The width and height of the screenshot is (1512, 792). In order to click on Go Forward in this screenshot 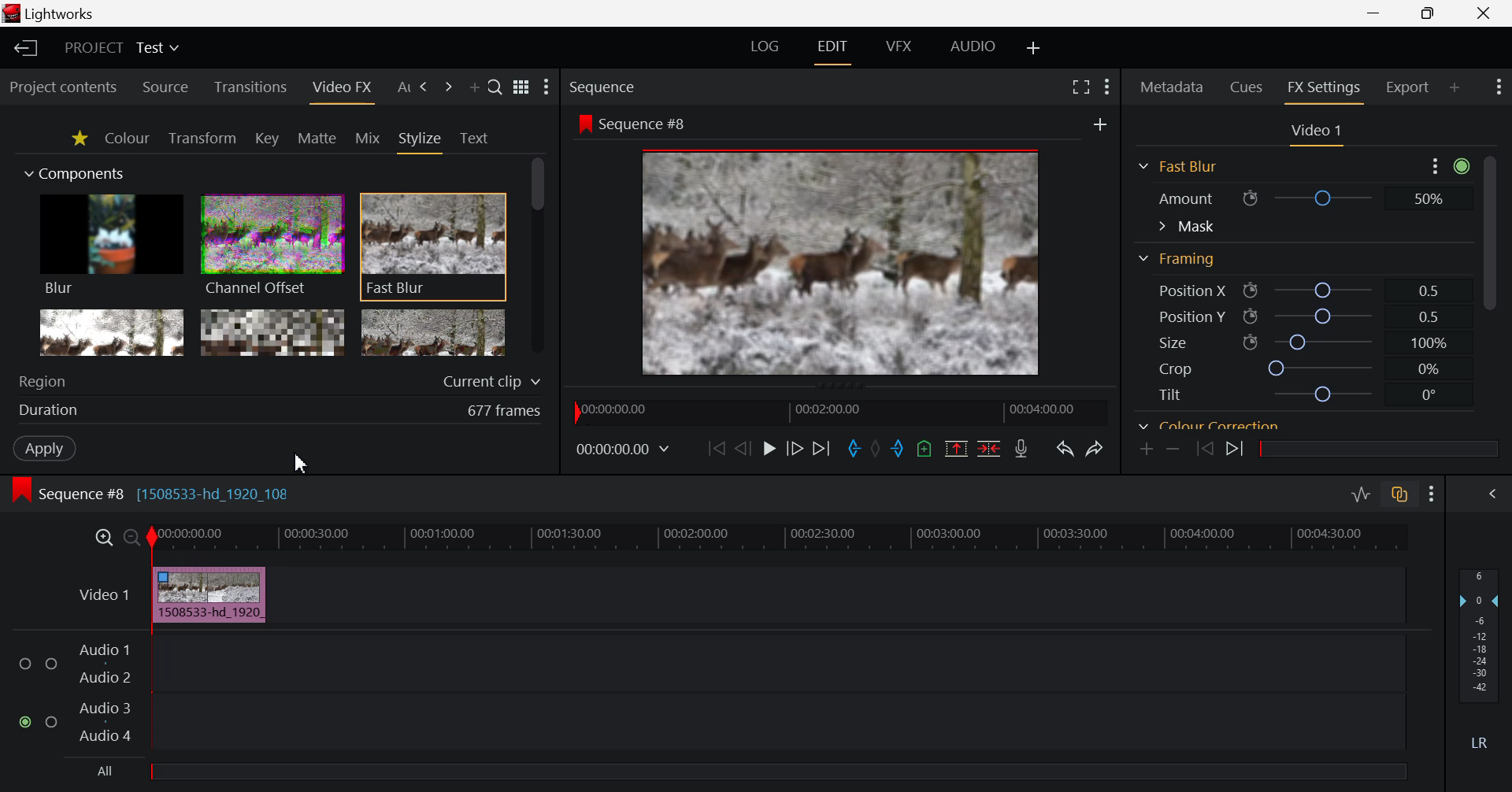, I will do `click(798, 451)`.